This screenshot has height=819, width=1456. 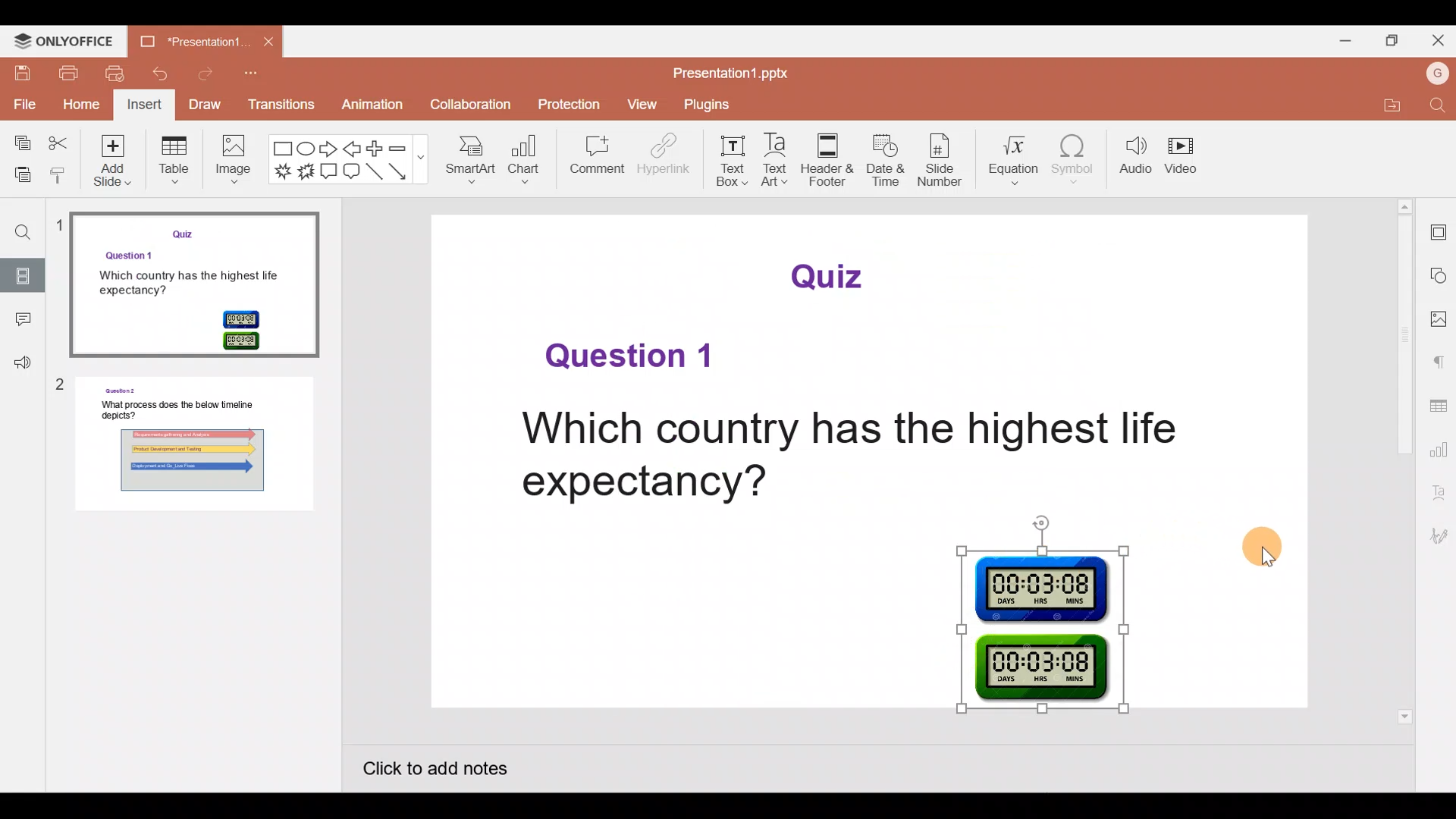 I want to click on Account name, so click(x=1434, y=74).